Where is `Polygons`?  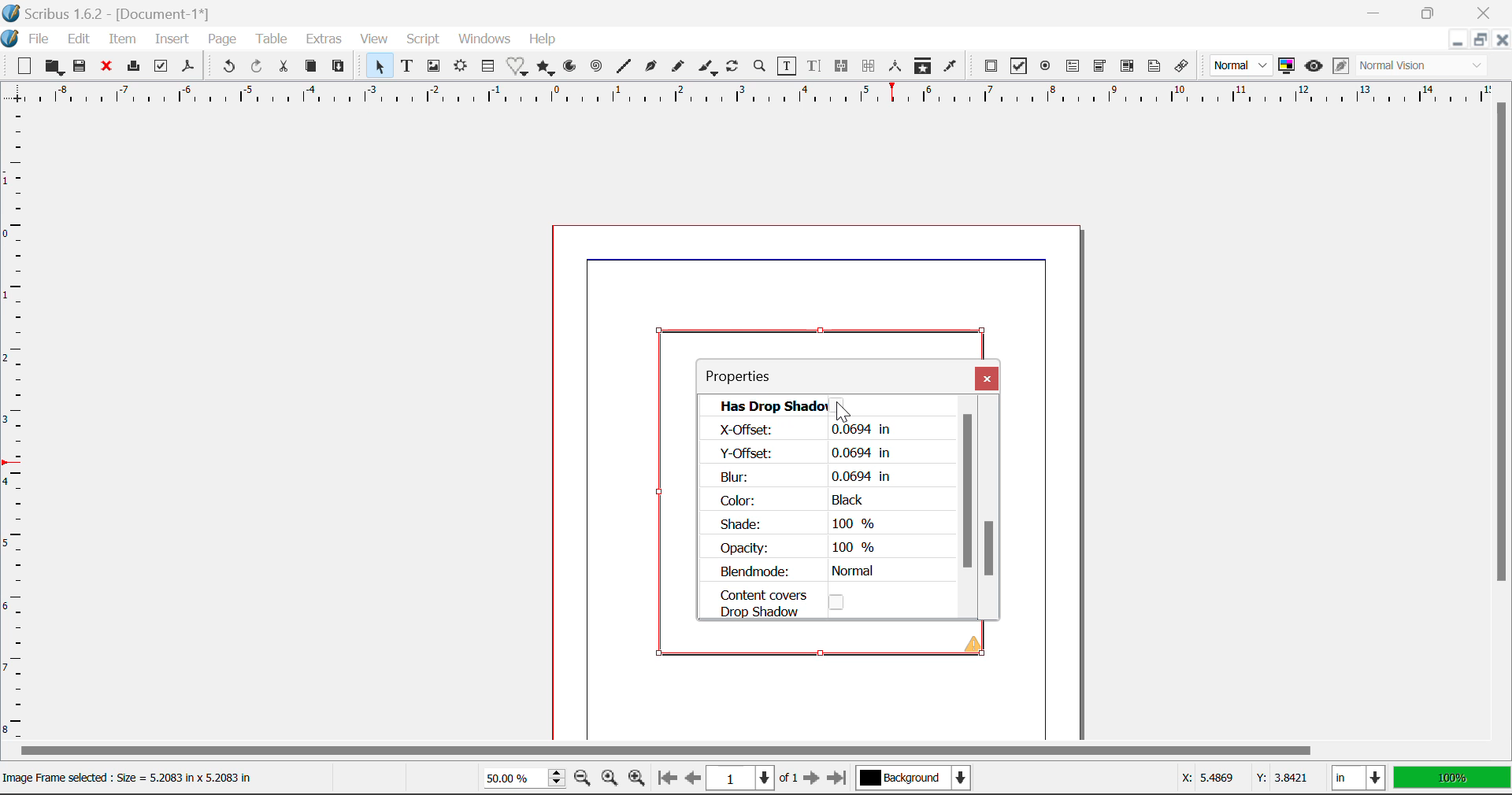 Polygons is located at coordinates (547, 68).